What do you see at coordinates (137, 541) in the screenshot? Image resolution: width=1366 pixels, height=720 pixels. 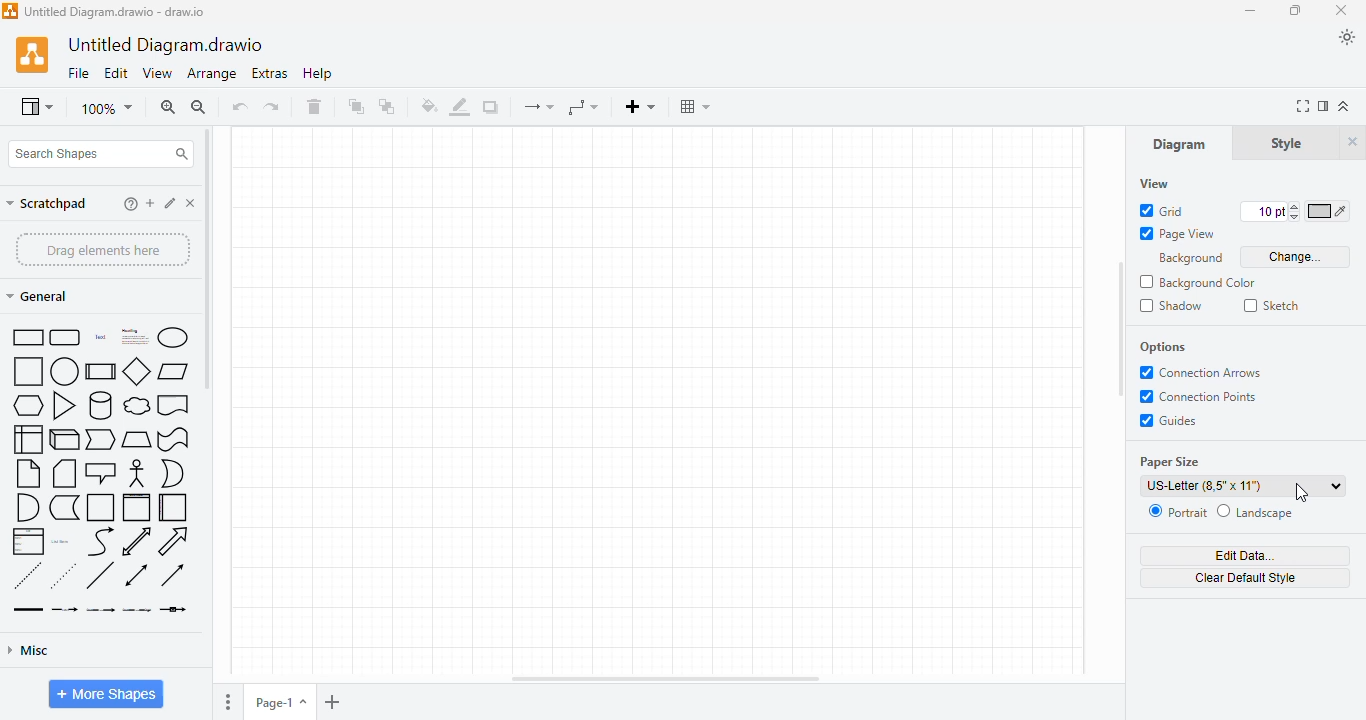 I see `bidirectional arrow` at bounding box center [137, 541].